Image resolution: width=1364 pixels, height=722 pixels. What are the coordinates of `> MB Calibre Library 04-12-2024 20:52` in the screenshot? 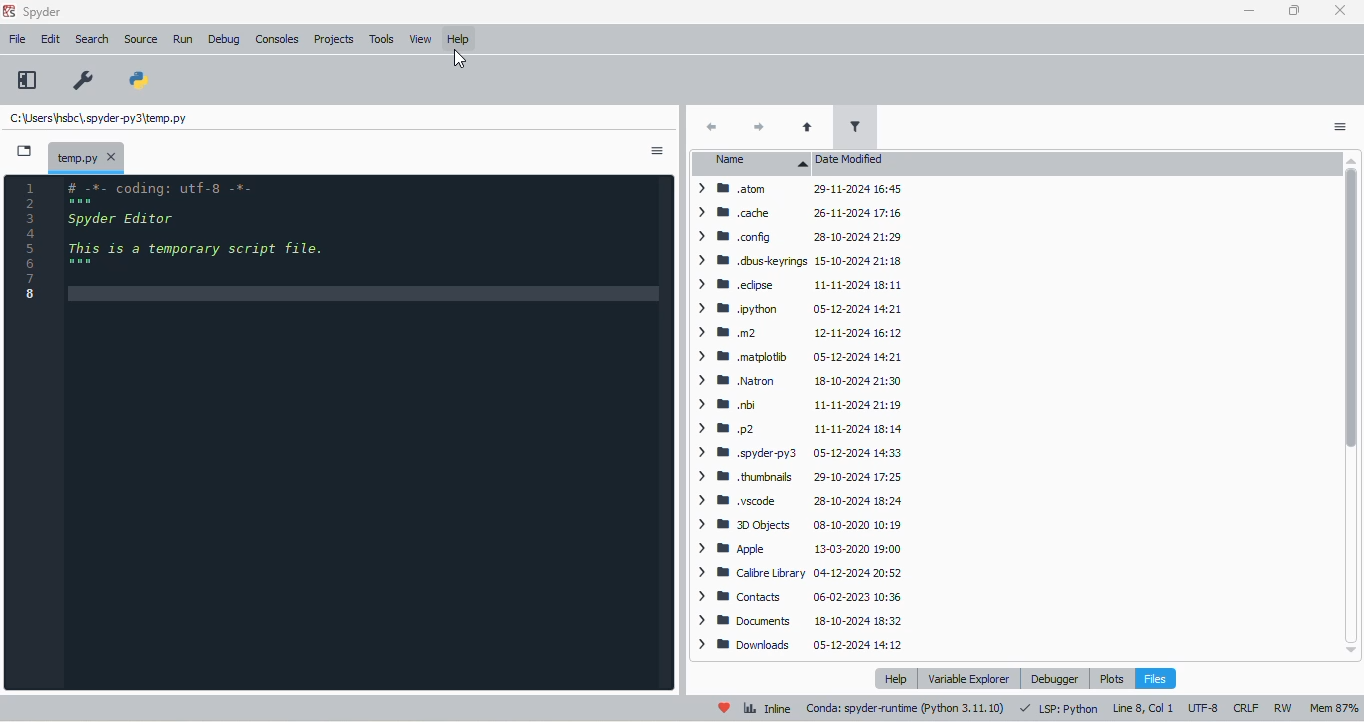 It's located at (796, 574).